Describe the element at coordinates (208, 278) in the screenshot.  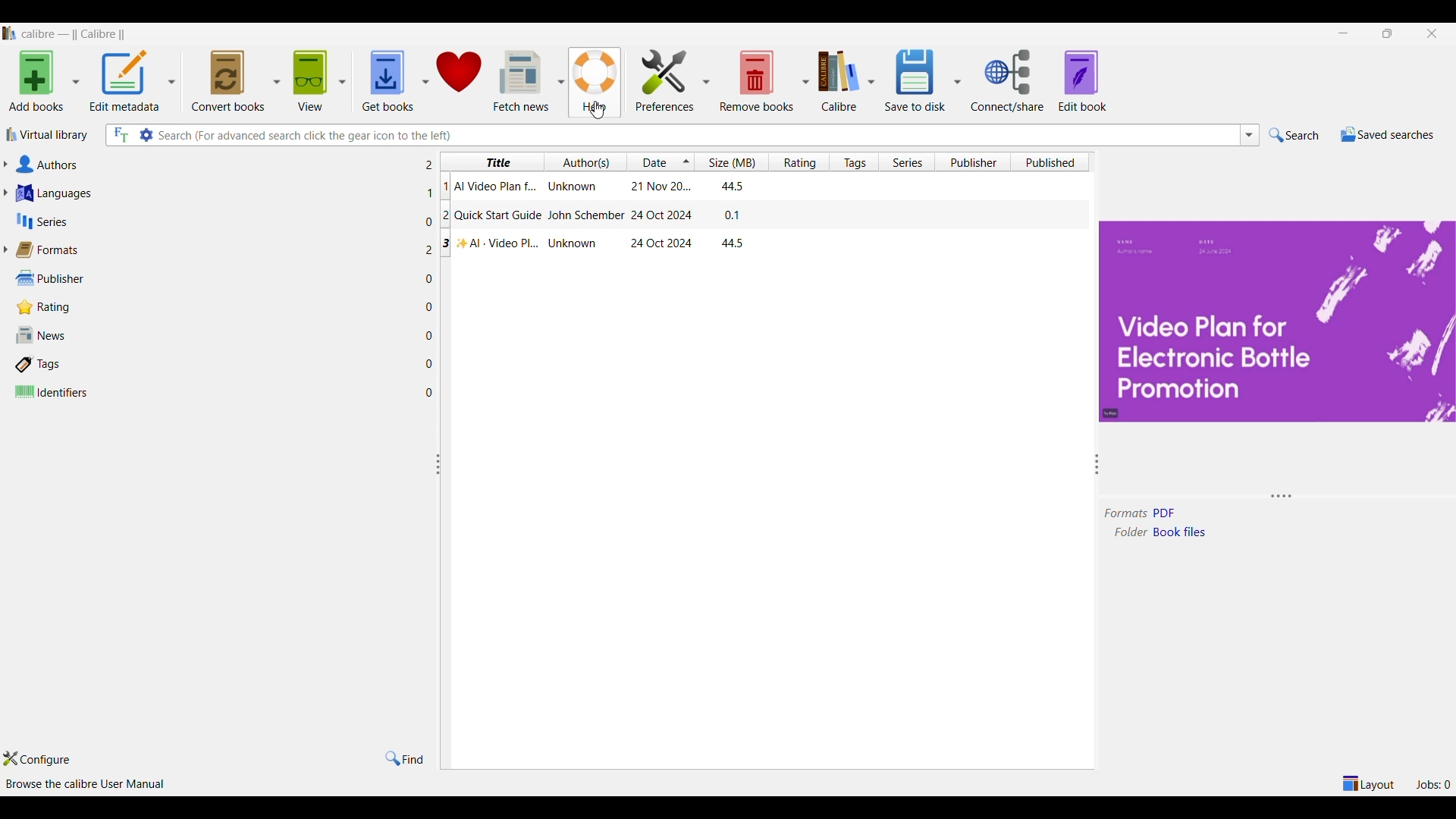
I see `Publisher` at that location.